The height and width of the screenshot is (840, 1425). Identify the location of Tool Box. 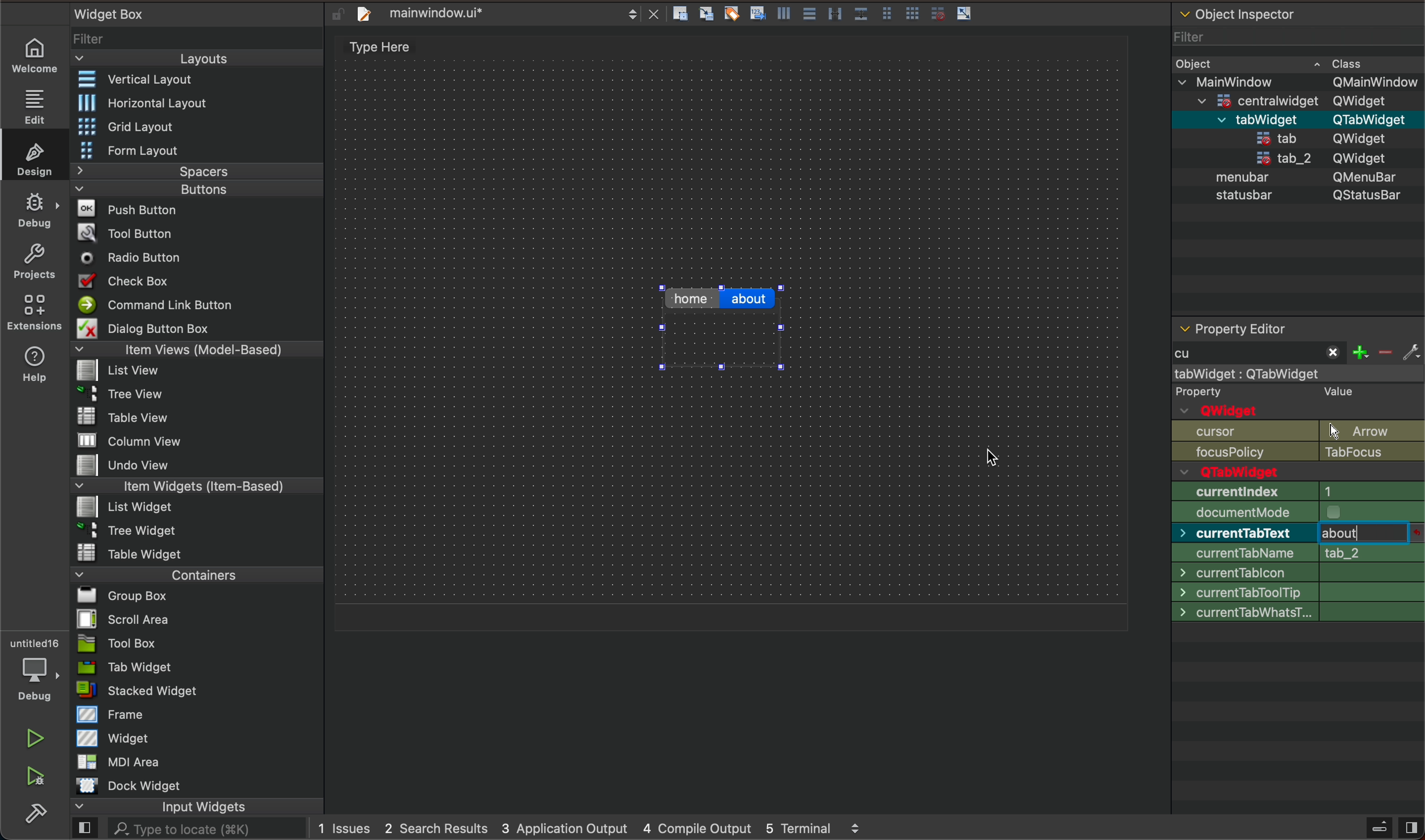
(134, 641).